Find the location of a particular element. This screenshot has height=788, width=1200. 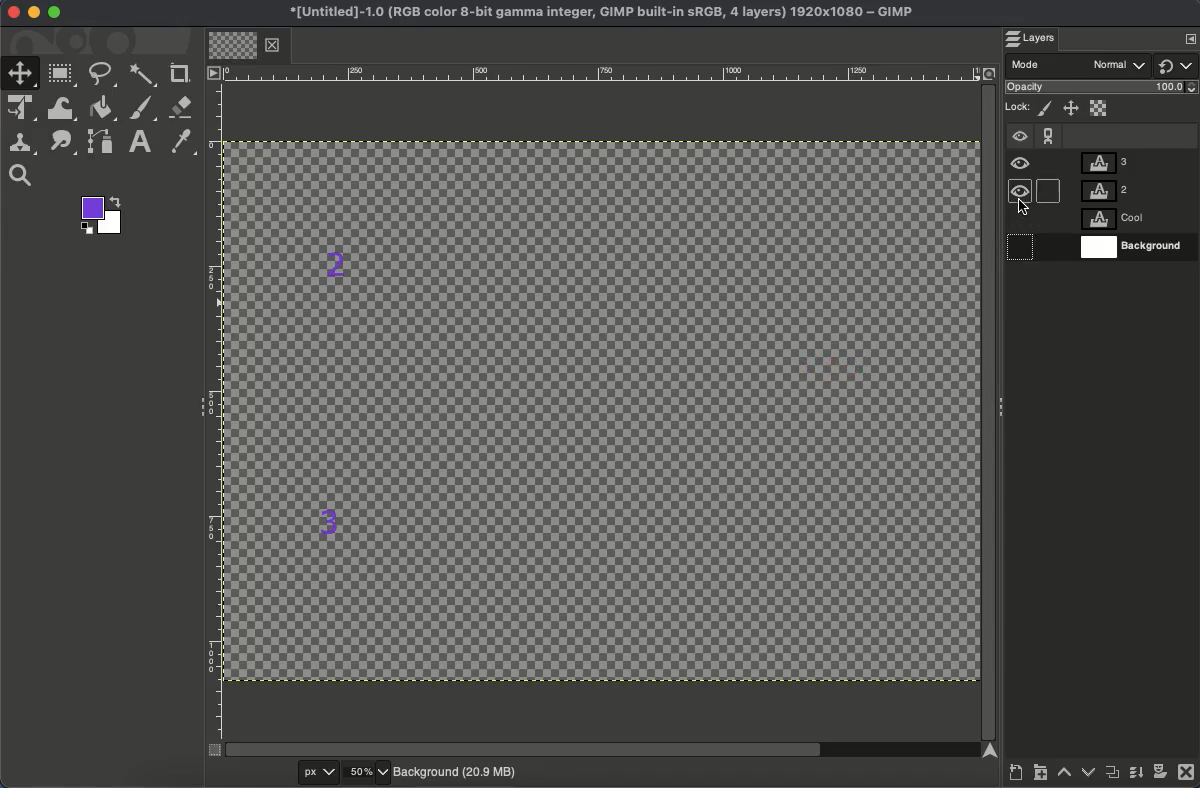

Visible is located at coordinates (1017, 162).